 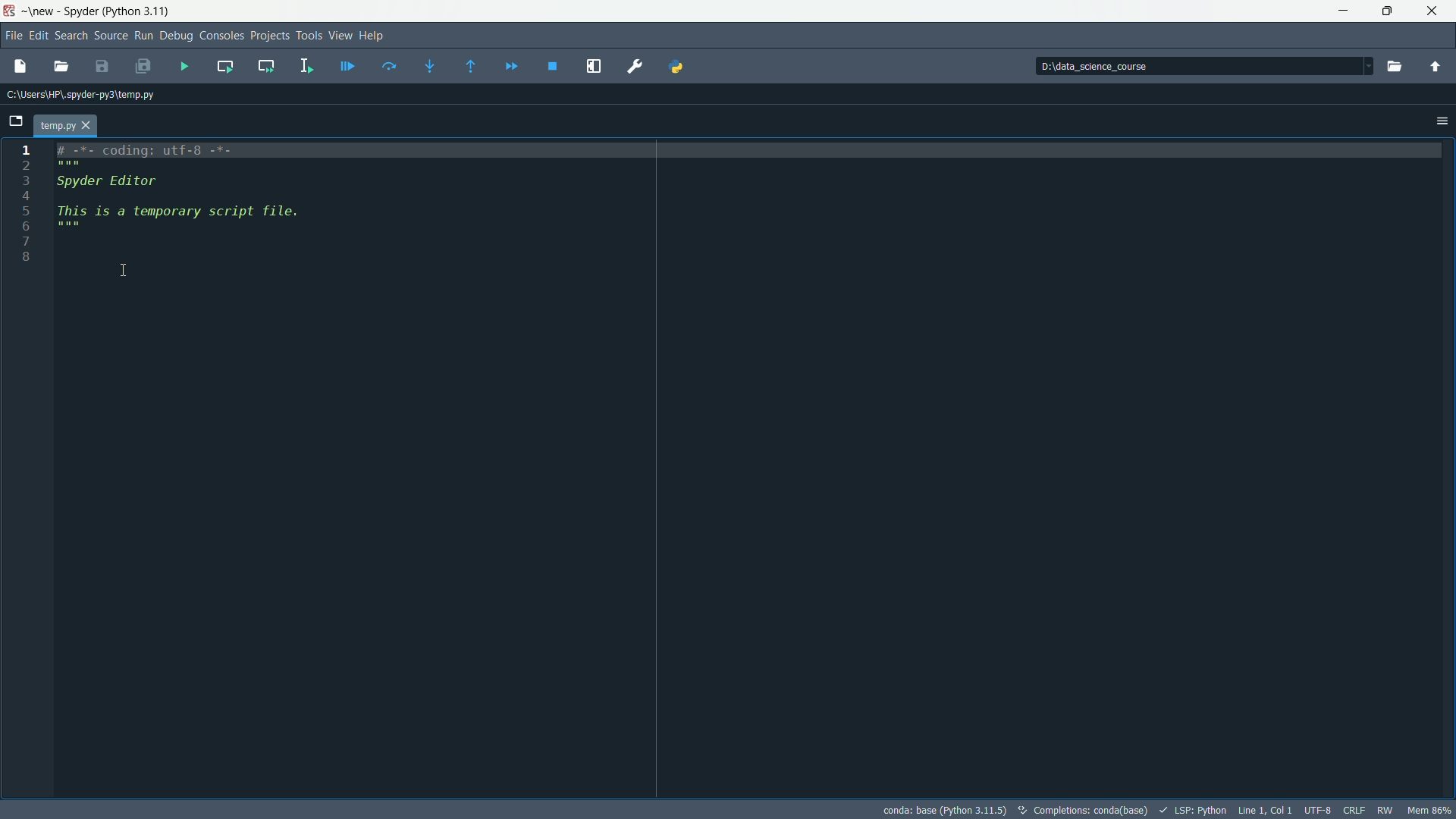 What do you see at coordinates (62, 127) in the screenshot?
I see `file name` at bounding box center [62, 127].